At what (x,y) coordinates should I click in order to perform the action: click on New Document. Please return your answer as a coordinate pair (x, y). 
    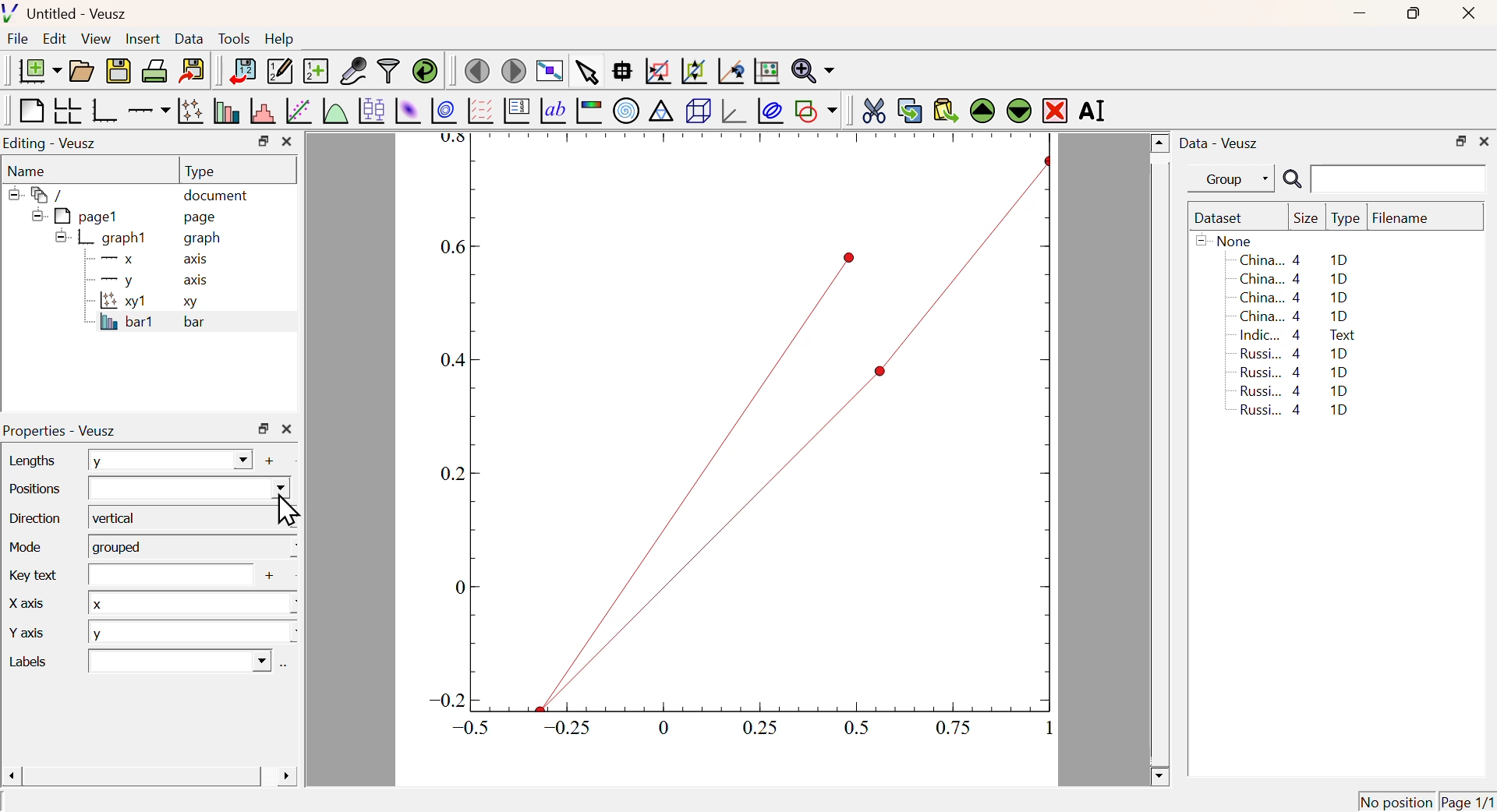
    Looking at the image, I should click on (39, 71).